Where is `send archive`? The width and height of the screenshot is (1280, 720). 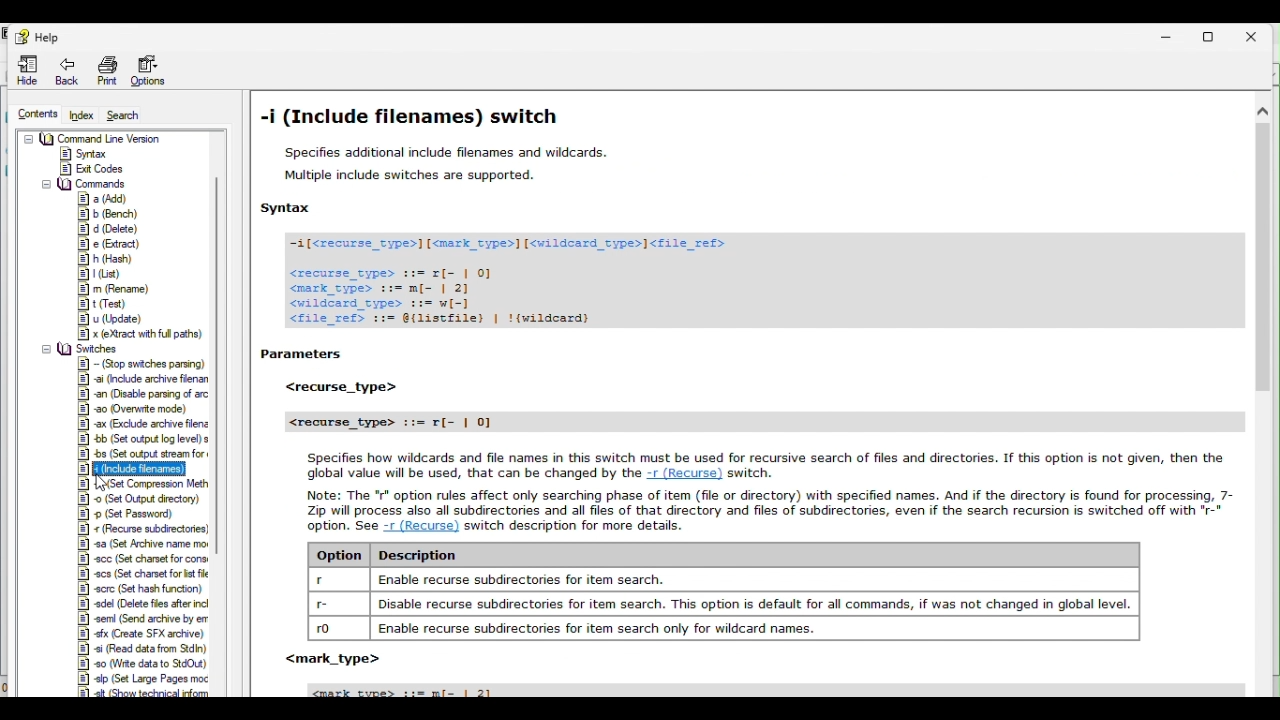
send archive is located at coordinates (143, 621).